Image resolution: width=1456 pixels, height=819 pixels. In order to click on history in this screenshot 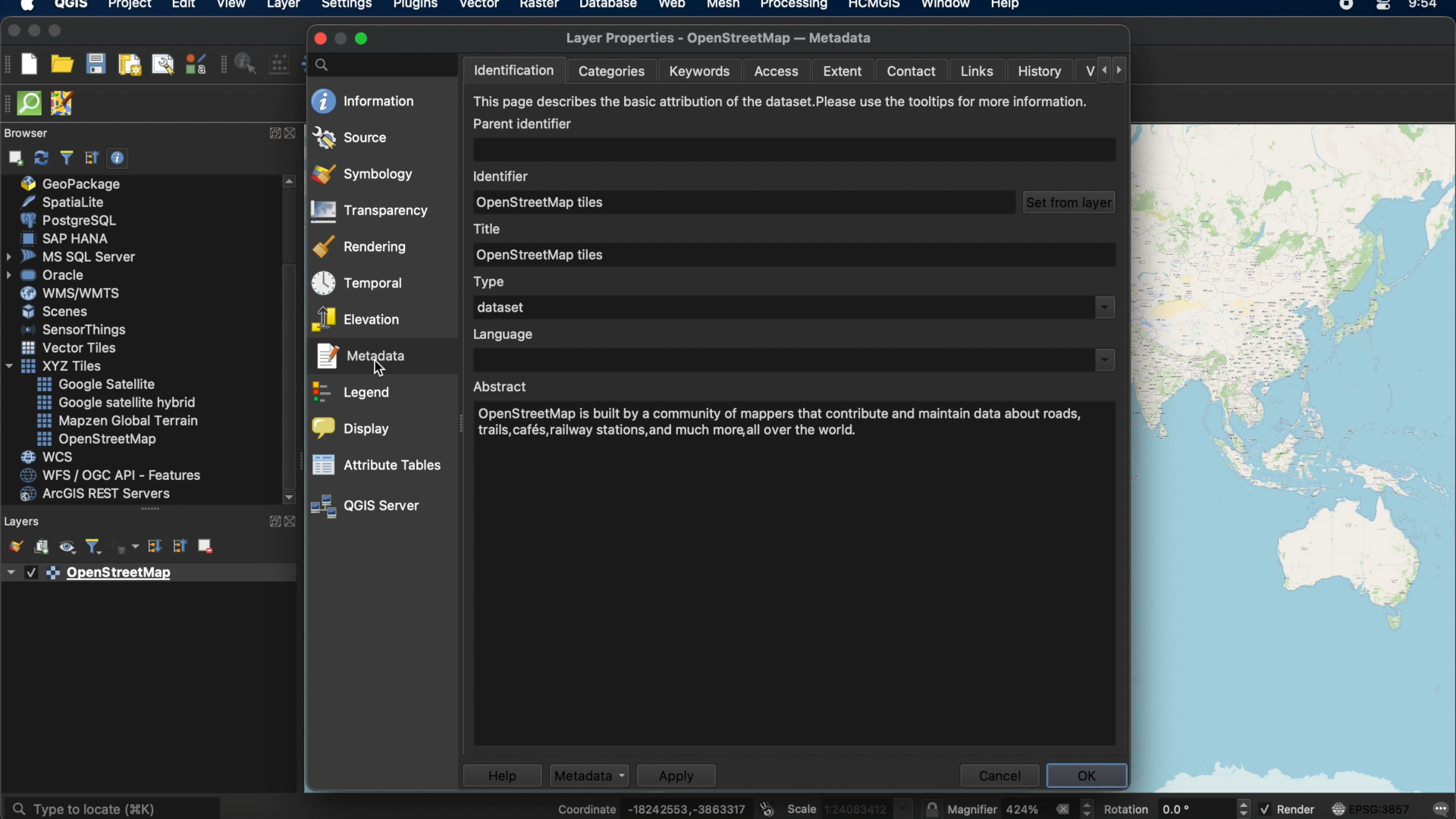, I will do `click(1040, 70)`.